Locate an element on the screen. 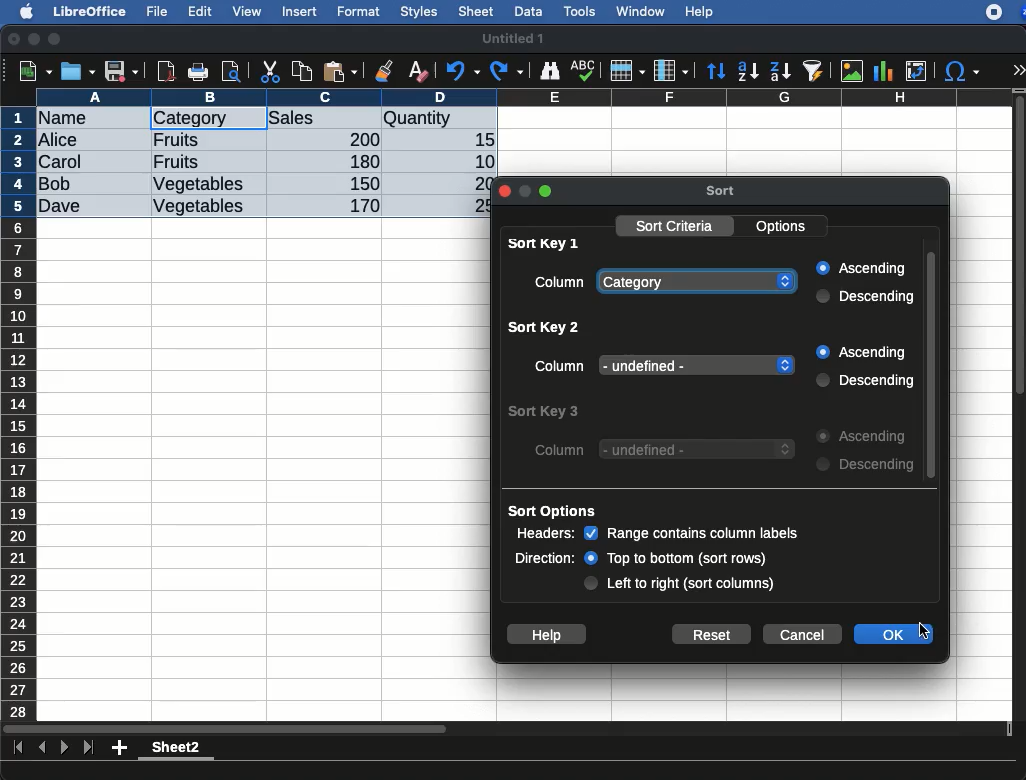 The image size is (1026, 780). expand is located at coordinates (1018, 70).